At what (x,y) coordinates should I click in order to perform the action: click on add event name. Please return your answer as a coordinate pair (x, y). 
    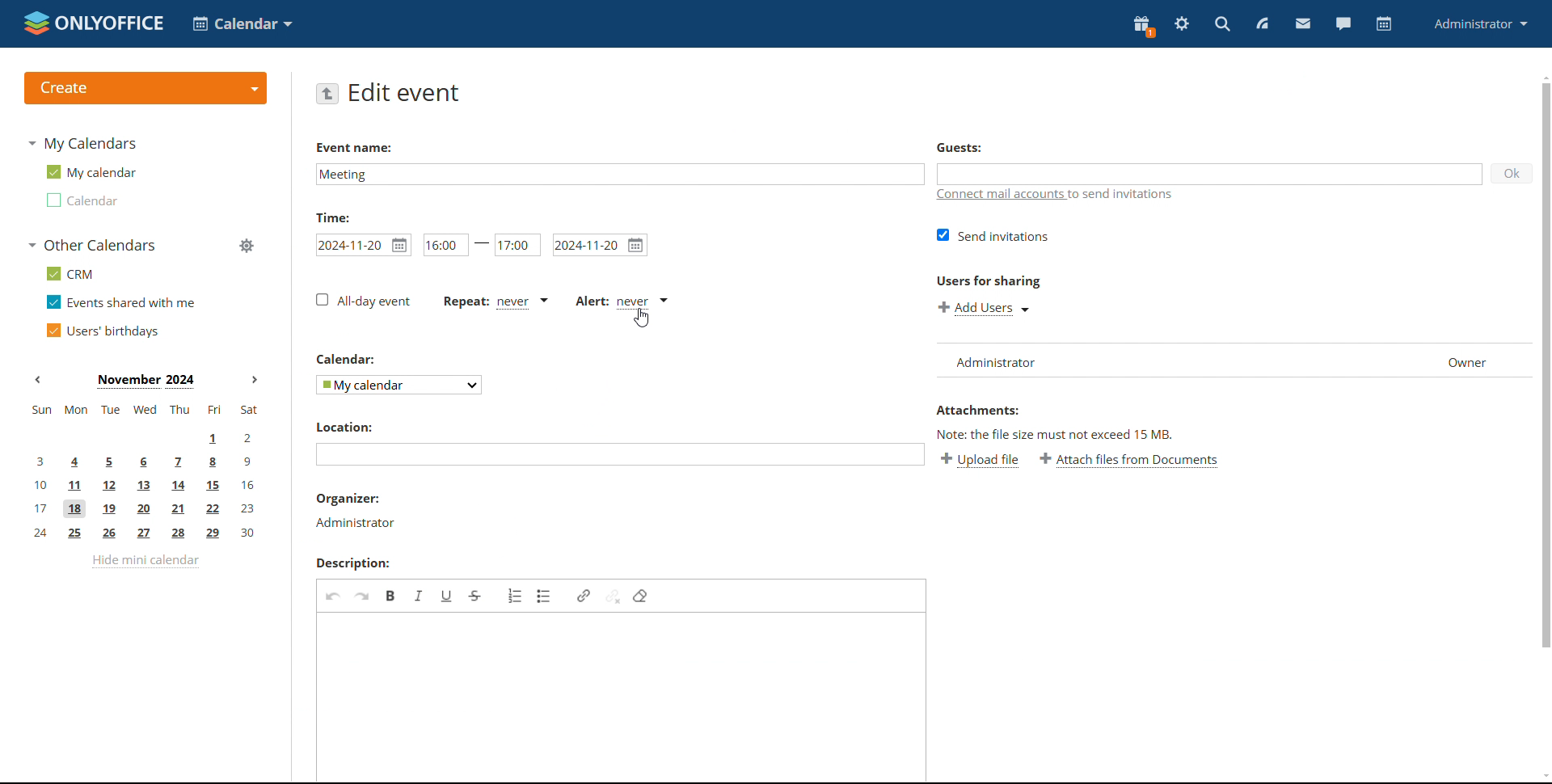
    Looking at the image, I should click on (619, 174).